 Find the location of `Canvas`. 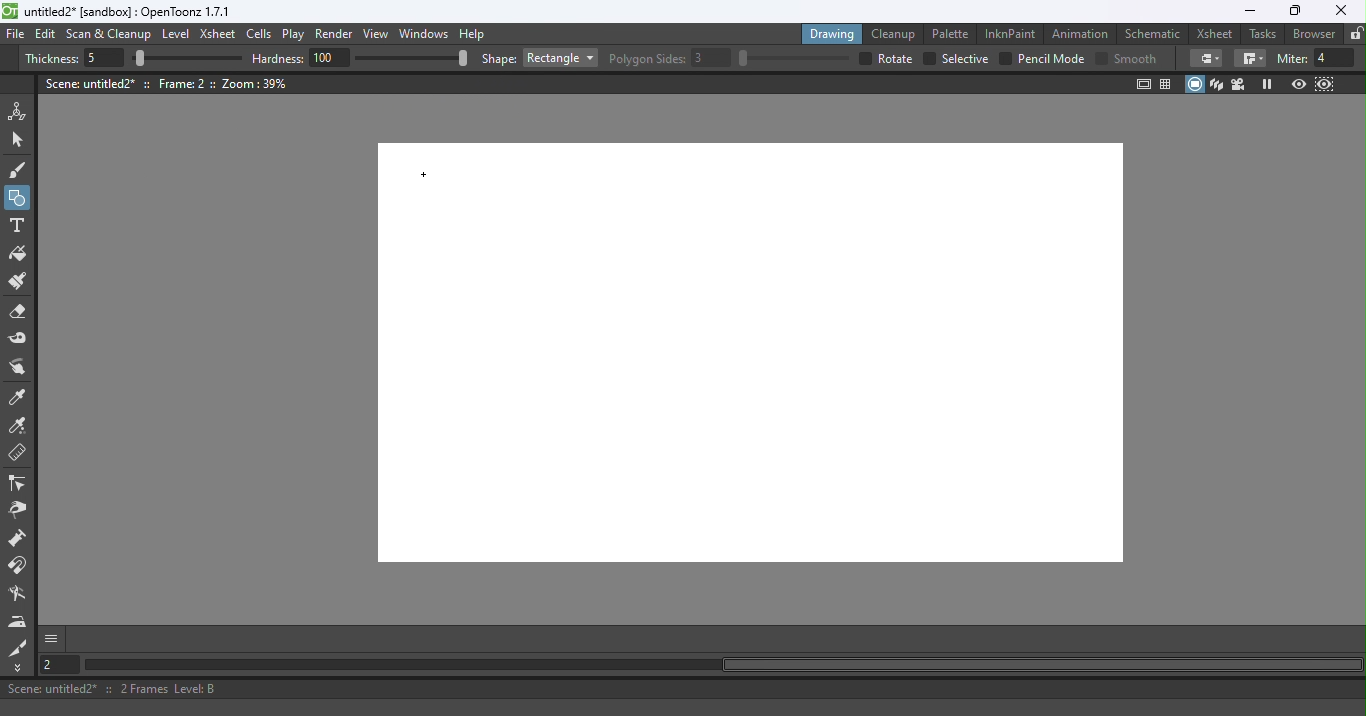

Canvas is located at coordinates (737, 362).